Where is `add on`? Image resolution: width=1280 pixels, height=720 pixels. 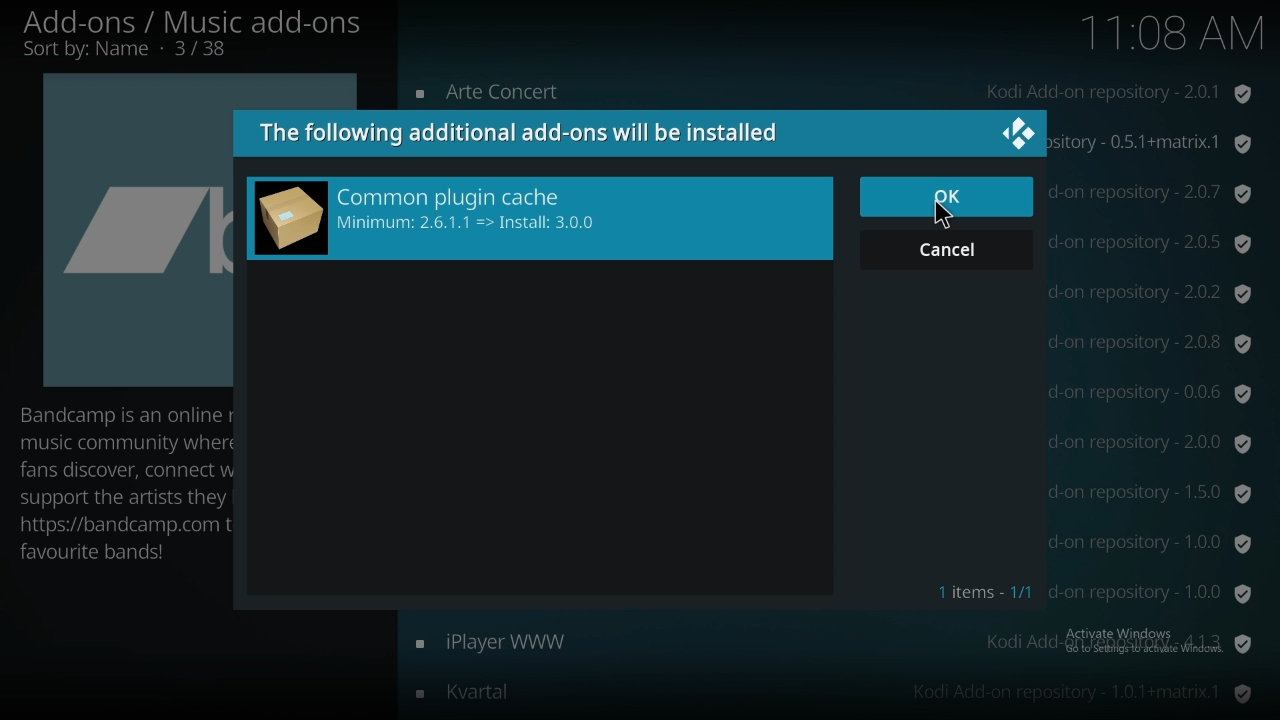
add on is located at coordinates (833, 94).